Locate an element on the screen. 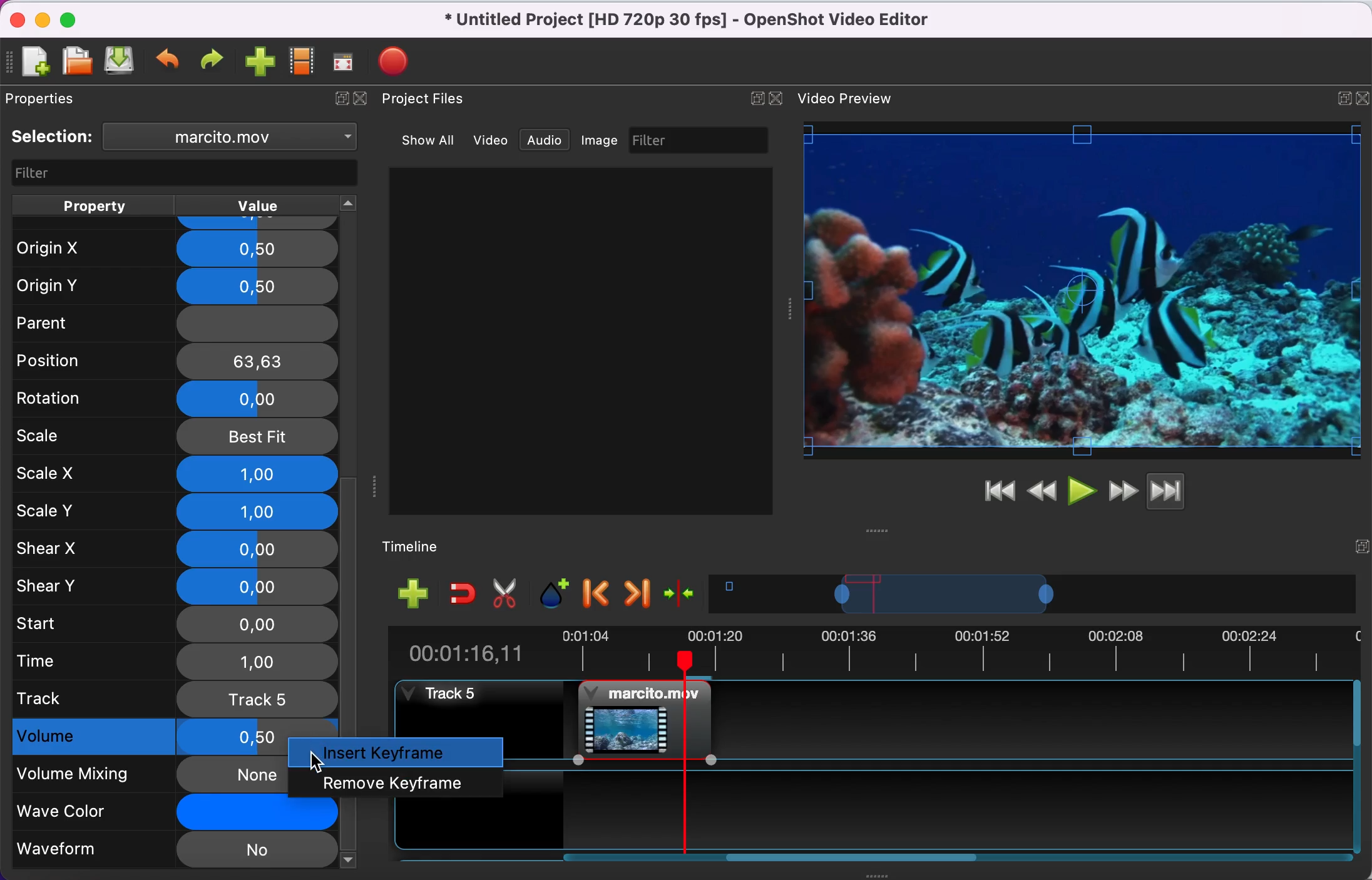 Image resolution: width=1372 pixels, height=880 pixels. scroll bar is located at coordinates (861, 861).